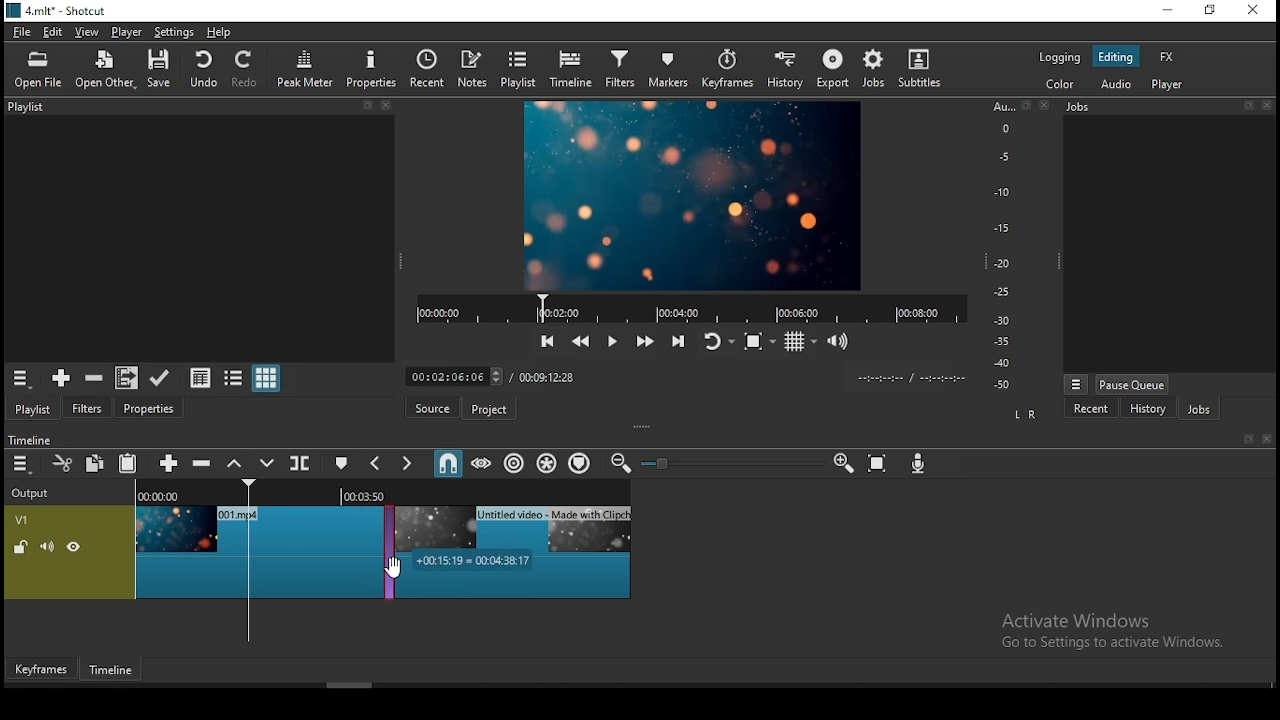 The image size is (1280, 720). I want to click on toggle grids display, so click(800, 342).